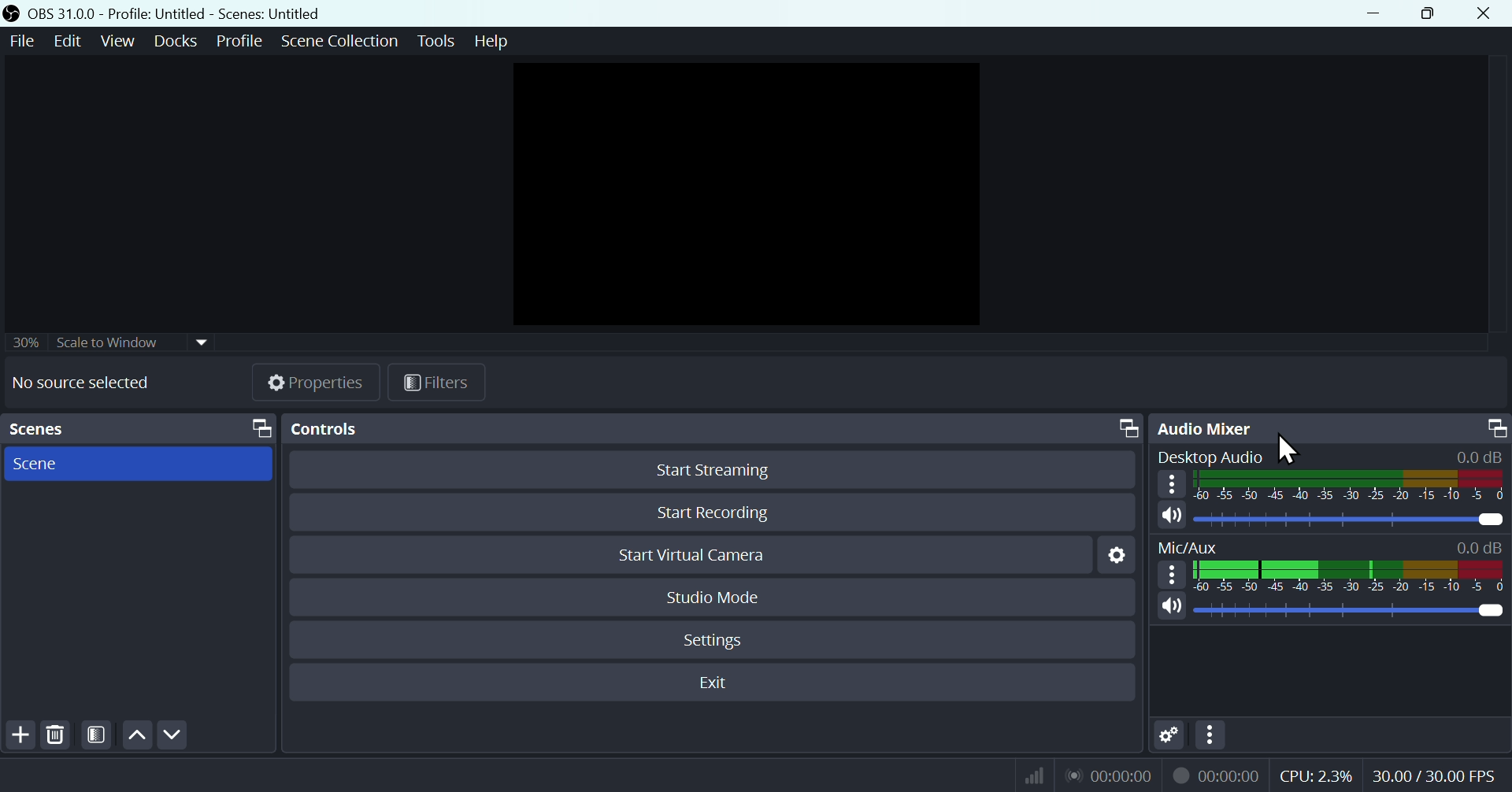 Image resolution: width=1512 pixels, height=792 pixels. Describe the element at coordinates (1333, 427) in the screenshot. I see `Audio mixer` at that location.